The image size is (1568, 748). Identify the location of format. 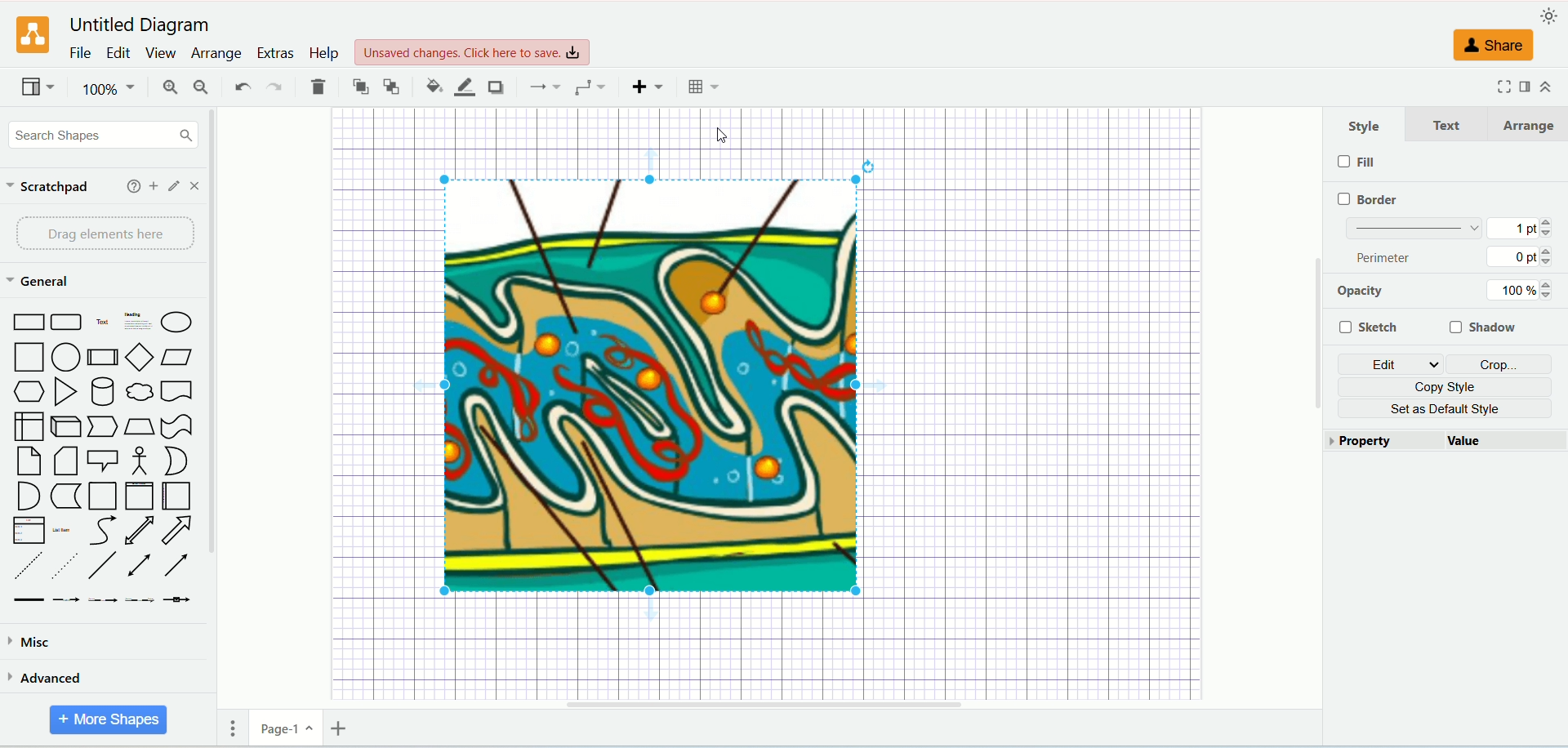
(1523, 86).